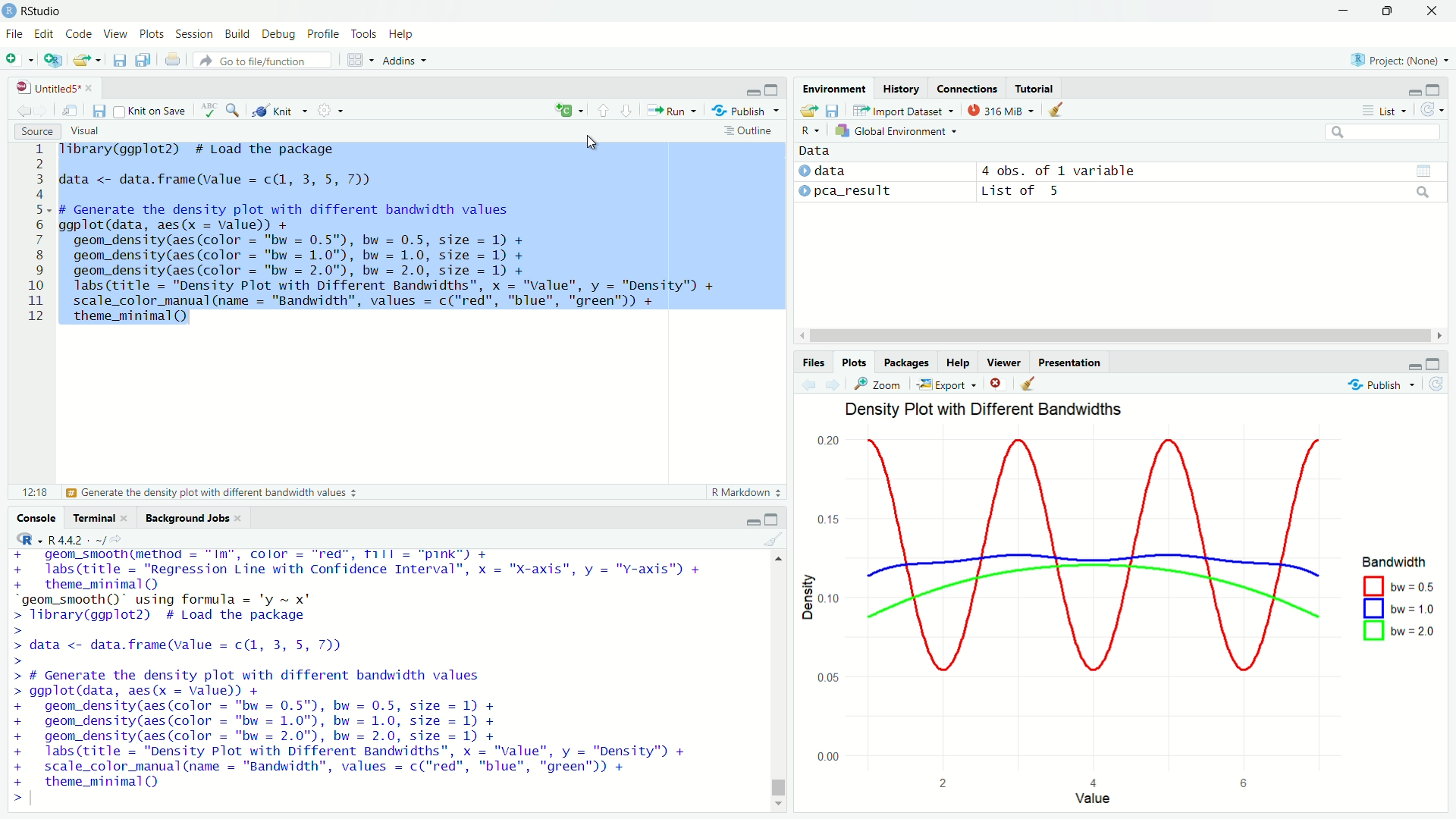 The image size is (1456, 819). Describe the element at coordinates (811, 130) in the screenshot. I see `R` at that location.